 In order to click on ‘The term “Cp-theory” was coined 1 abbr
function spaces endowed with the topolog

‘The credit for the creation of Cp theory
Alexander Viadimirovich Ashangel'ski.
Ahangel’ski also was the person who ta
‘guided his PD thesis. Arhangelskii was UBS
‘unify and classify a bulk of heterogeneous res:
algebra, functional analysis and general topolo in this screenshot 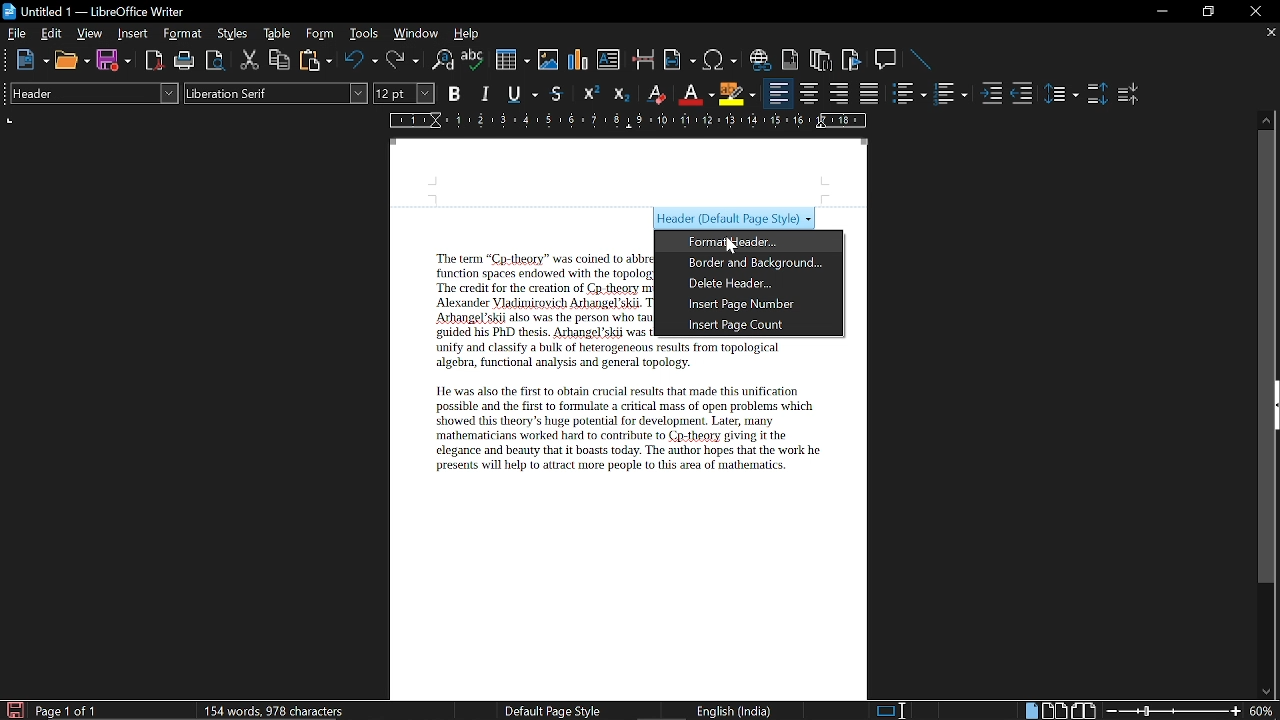, I will do `click(544, 309)`.